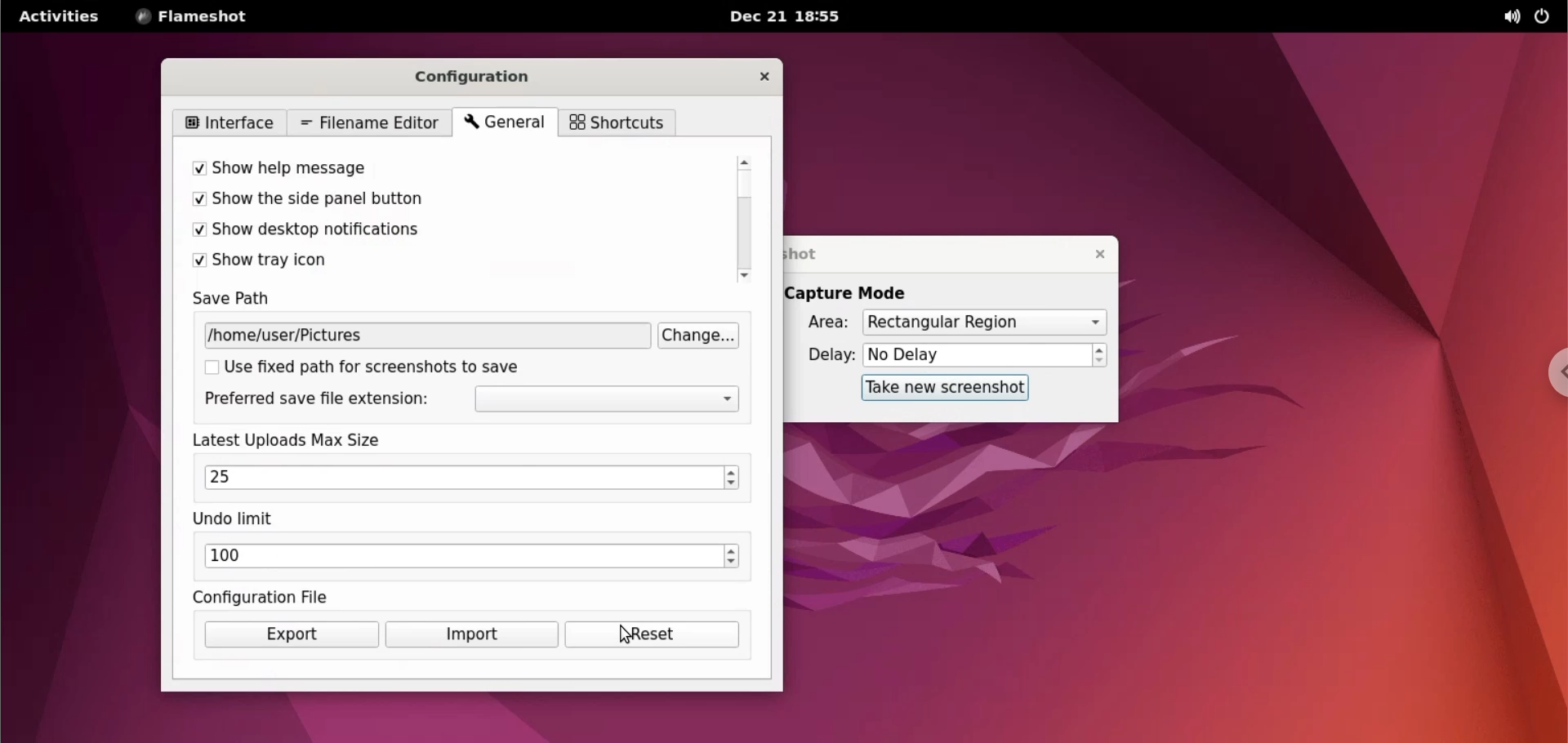 The width and height of the screenshot is (1568, 743). Describe the element at coordinates (288, 595) in the screenshot. I see `configuration file` at that location.